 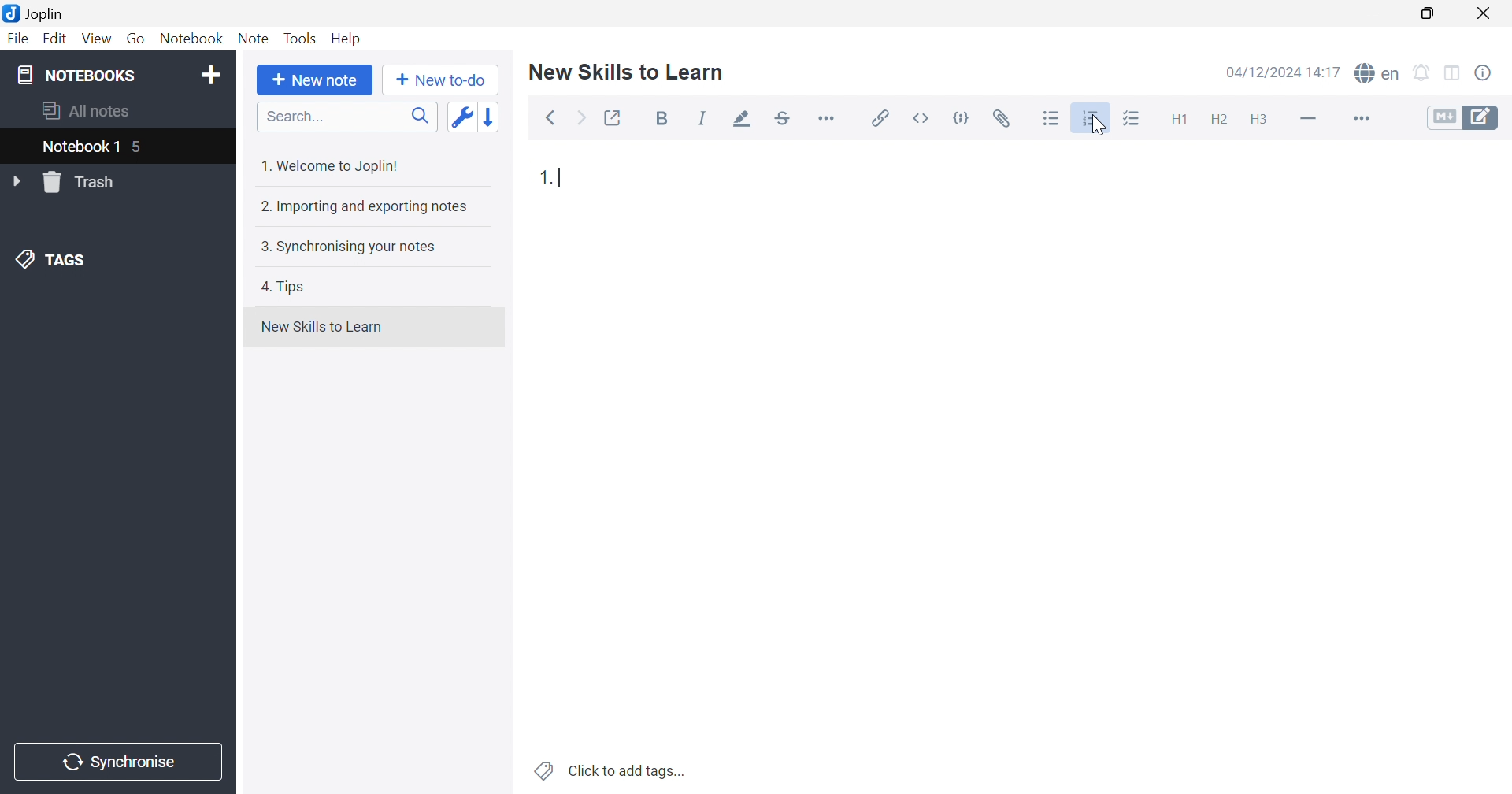 What do you see at coordinates (315, 80) in the screenshot?
I see `New note` at bounding box center [315, 80].